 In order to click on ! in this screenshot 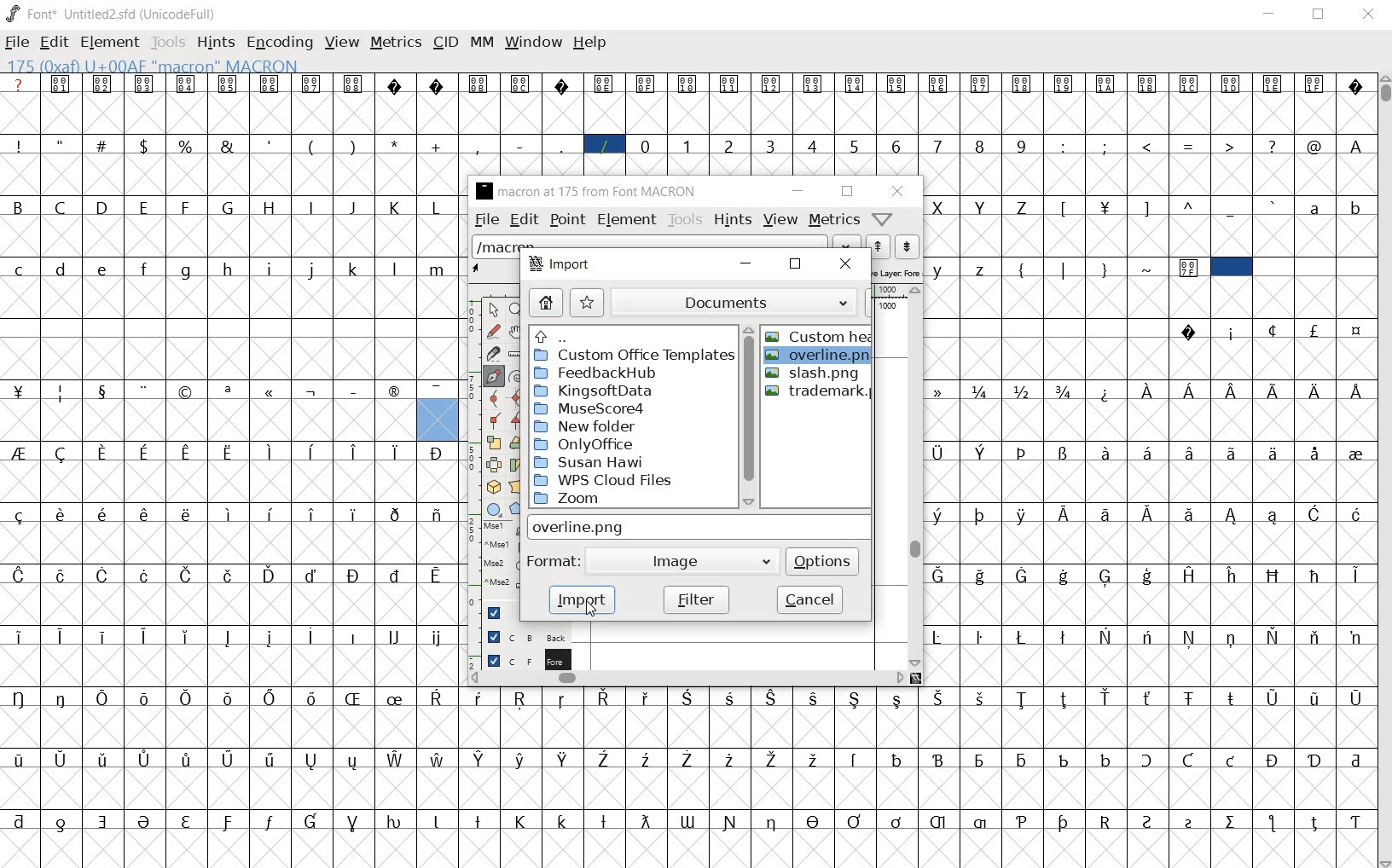, I will do `click(19, 145)`.